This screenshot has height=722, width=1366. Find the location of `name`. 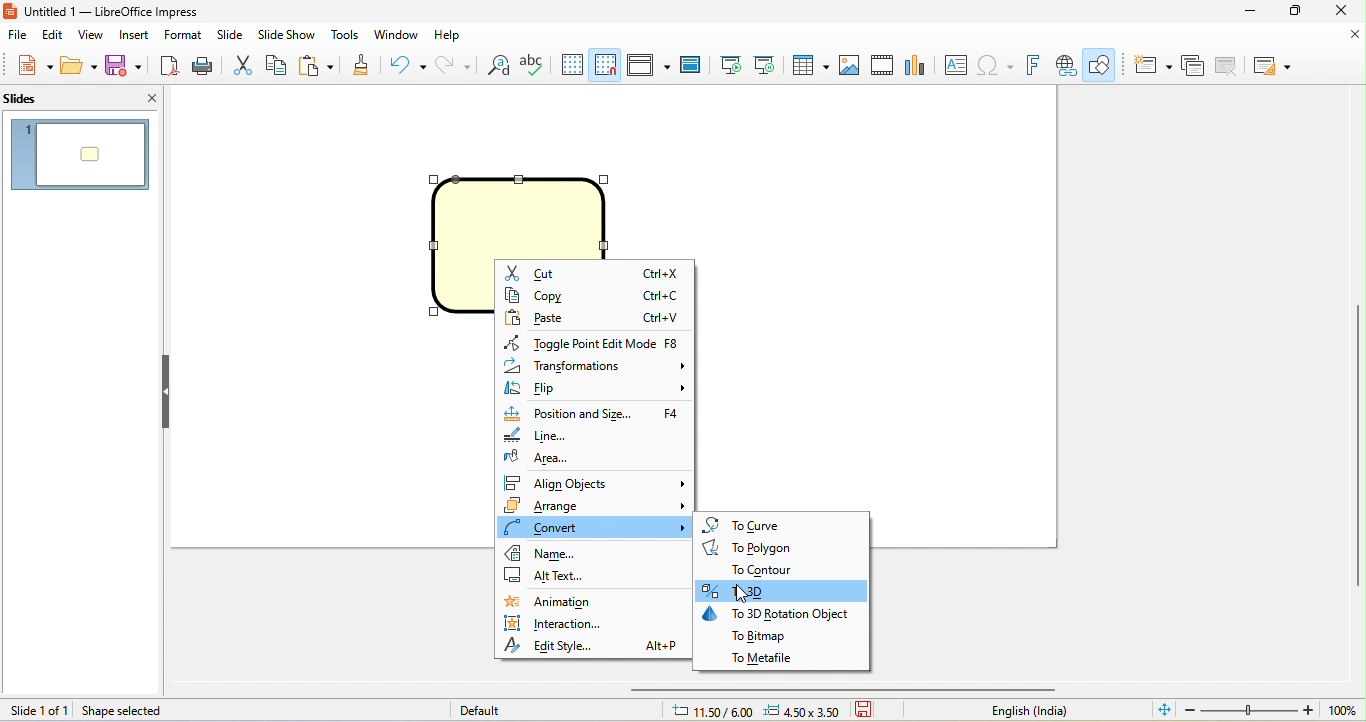

name is located at coordinates (559, 554).